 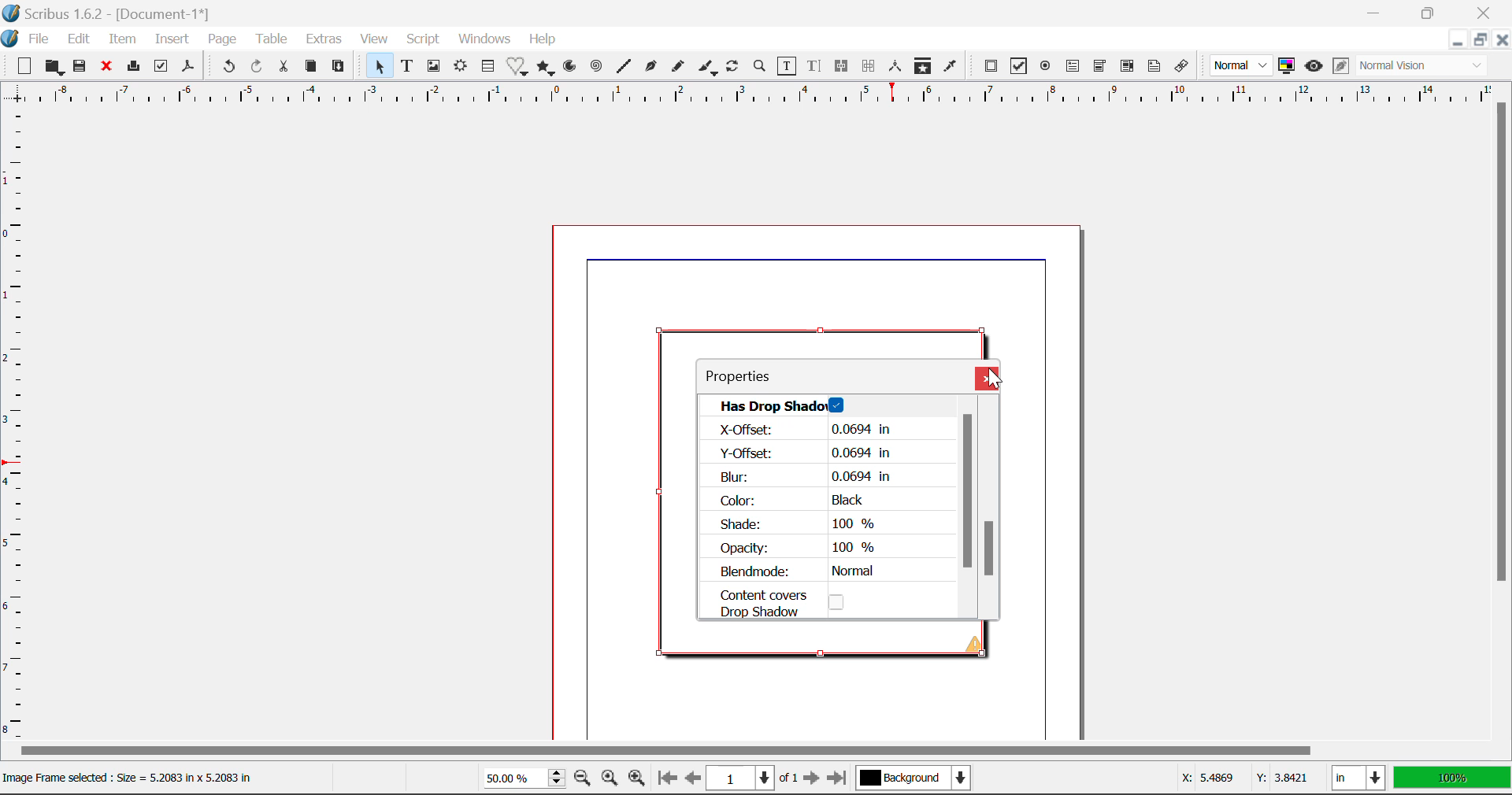 What do you see at coordinates (190, 69) in the screenshot?
I see `Save as Pdf` at bounding box center [190, 69].